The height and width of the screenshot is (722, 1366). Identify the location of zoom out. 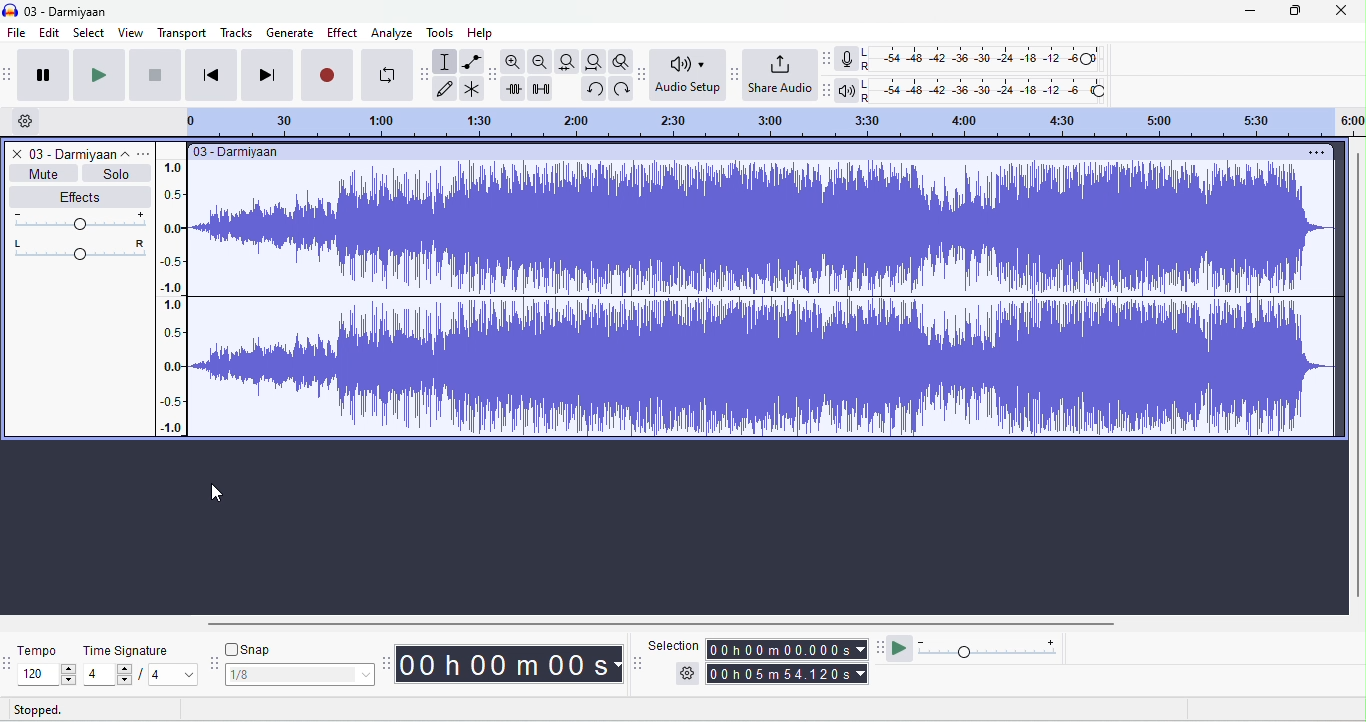
(540, 61).